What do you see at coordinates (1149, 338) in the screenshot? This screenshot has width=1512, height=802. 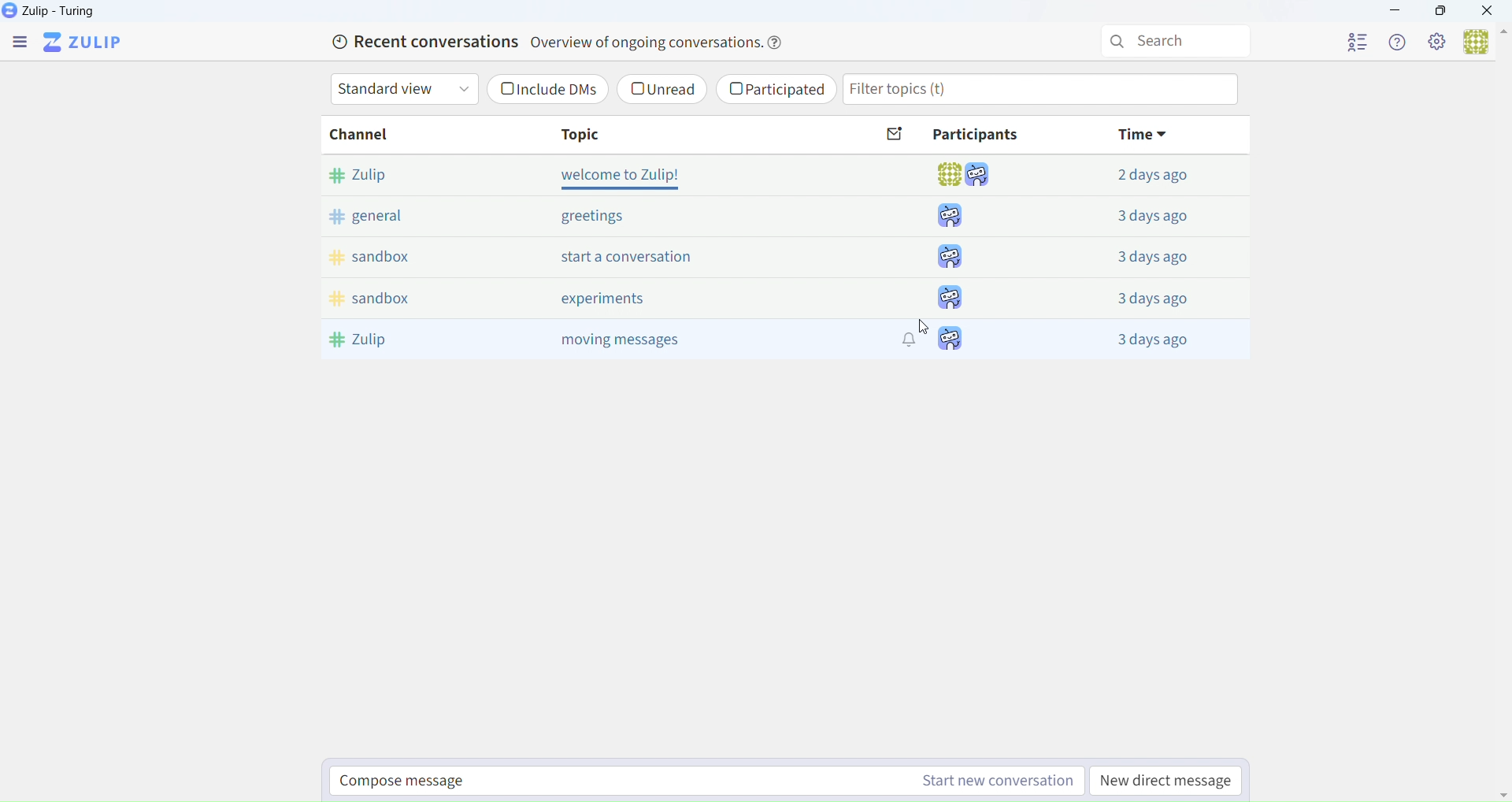 I see `3 days ago` at bounding box center [1149, 338].